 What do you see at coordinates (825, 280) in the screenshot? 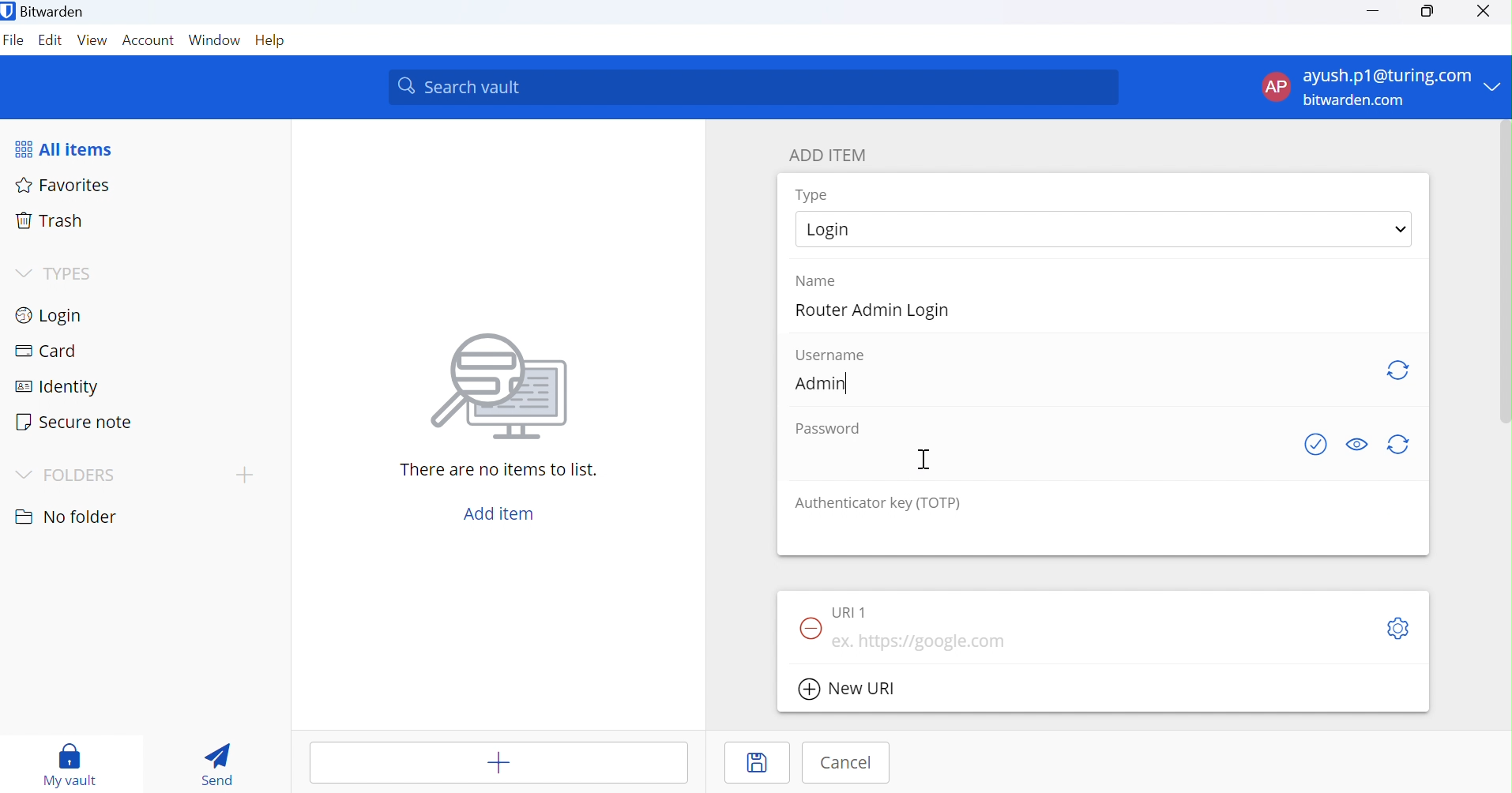
I see `Name` at bounding box center [825, 280].